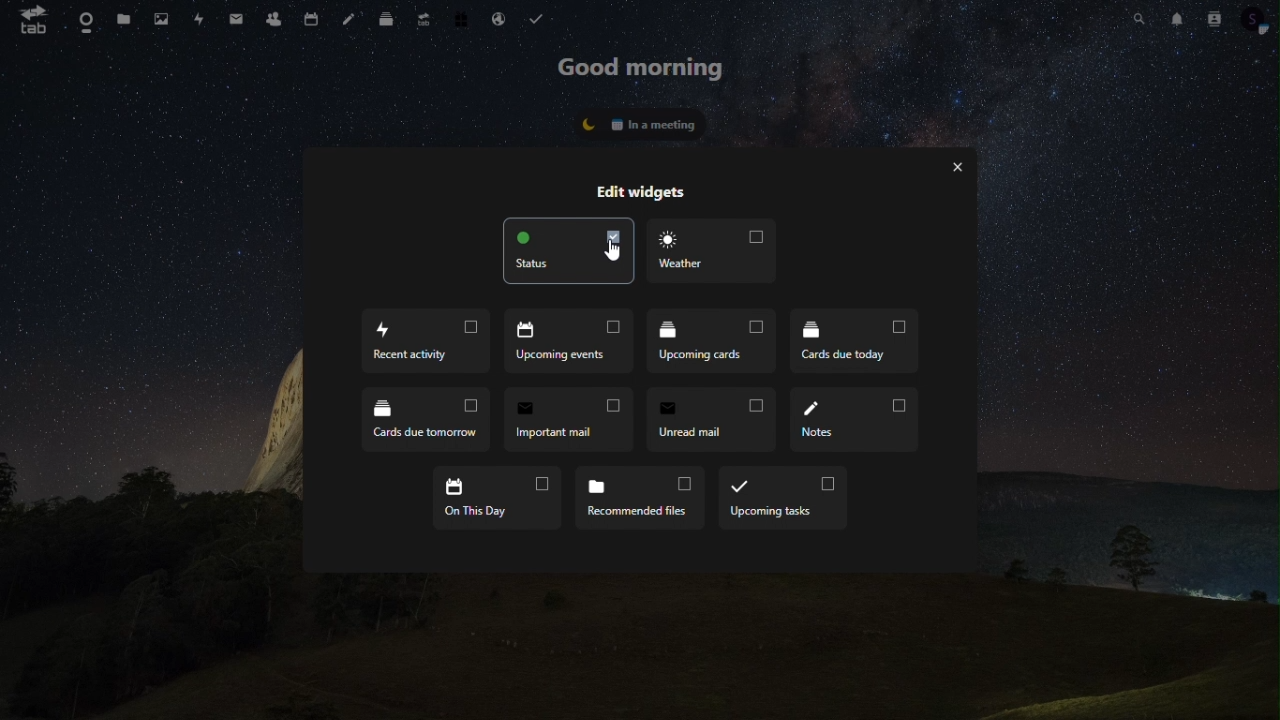  Describe the element at coordinates (638, 124) in the screenshot. I see `status widget` at that location.